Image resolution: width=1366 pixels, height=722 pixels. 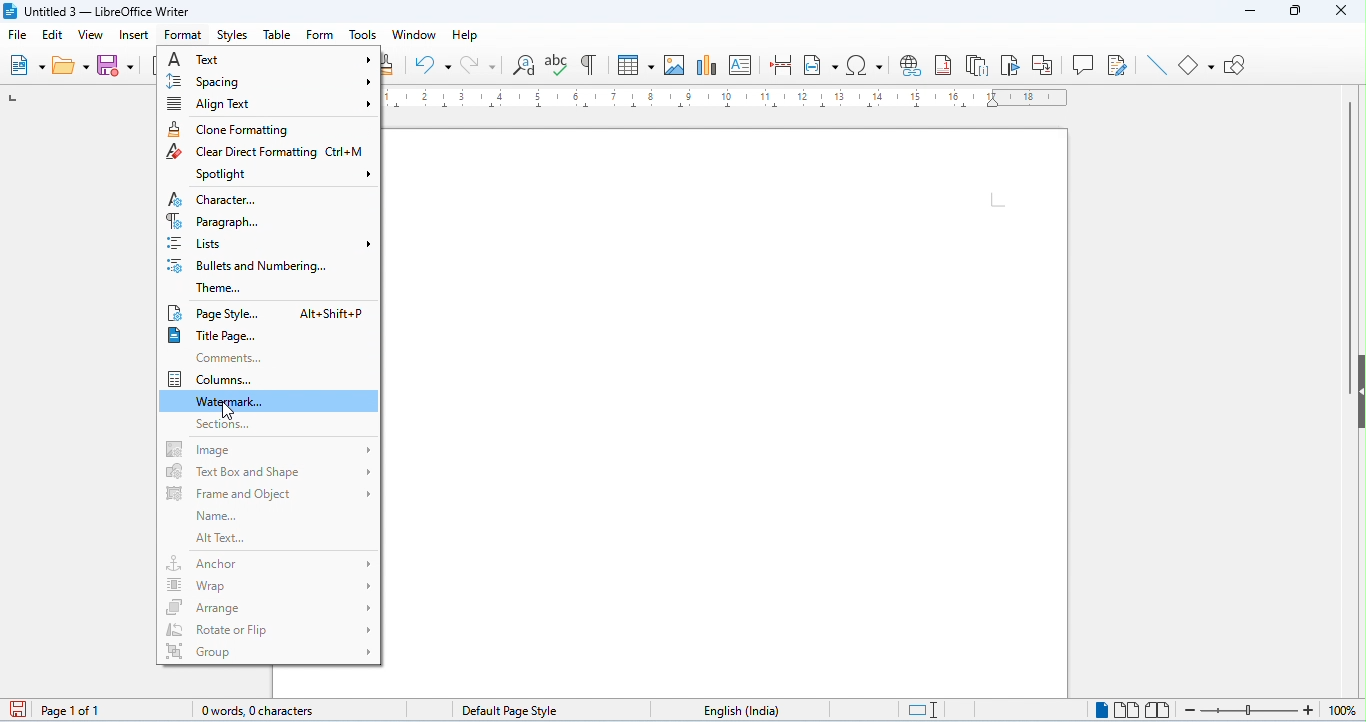 I want to click on insert and note, so click(x=978, y=66).